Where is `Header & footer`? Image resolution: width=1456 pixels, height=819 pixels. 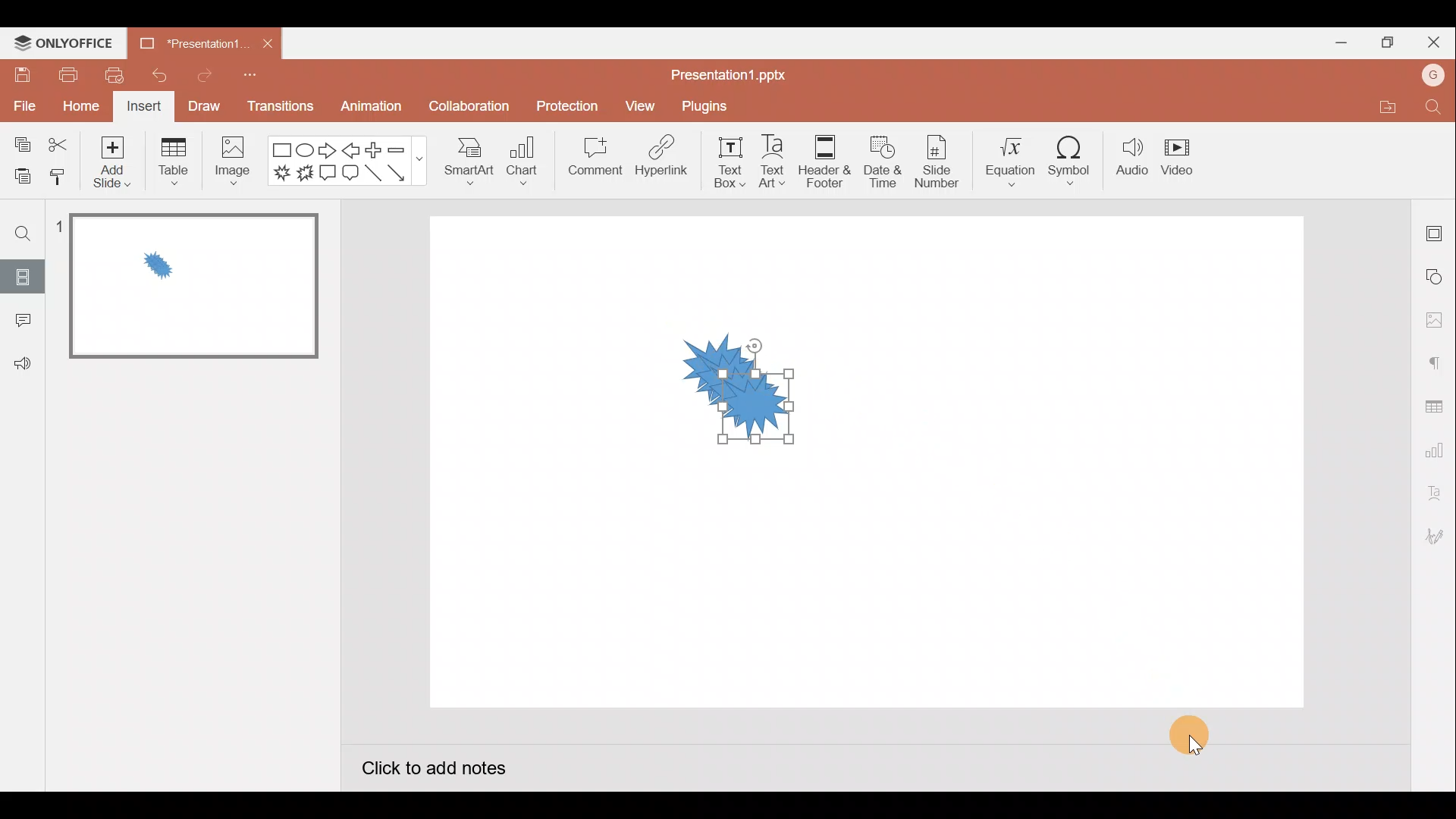
Header & footer is located at coordinates (827, 162).